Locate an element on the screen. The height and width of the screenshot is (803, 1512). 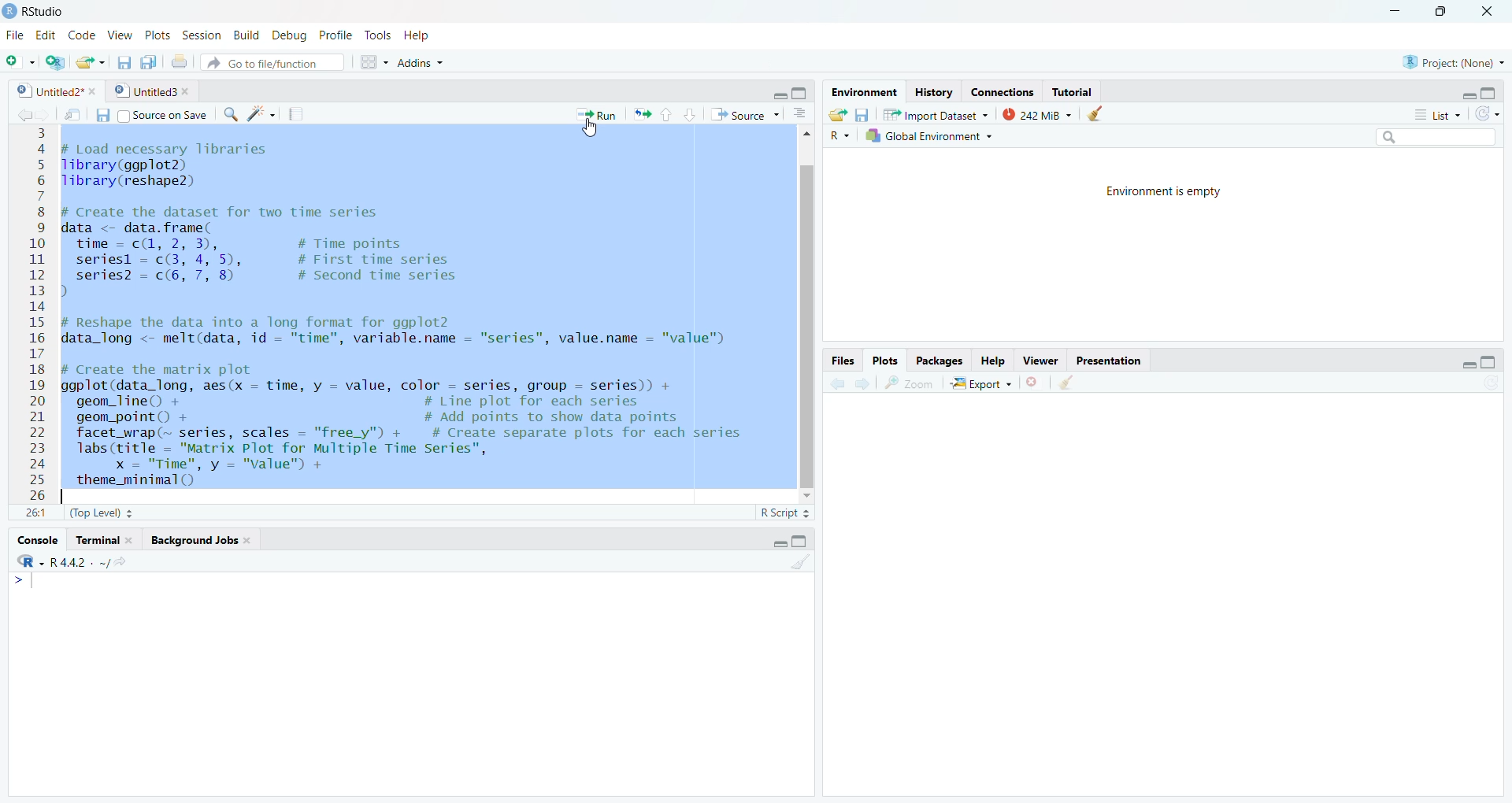
Environment is empty is located at coordinates (1156, 189).